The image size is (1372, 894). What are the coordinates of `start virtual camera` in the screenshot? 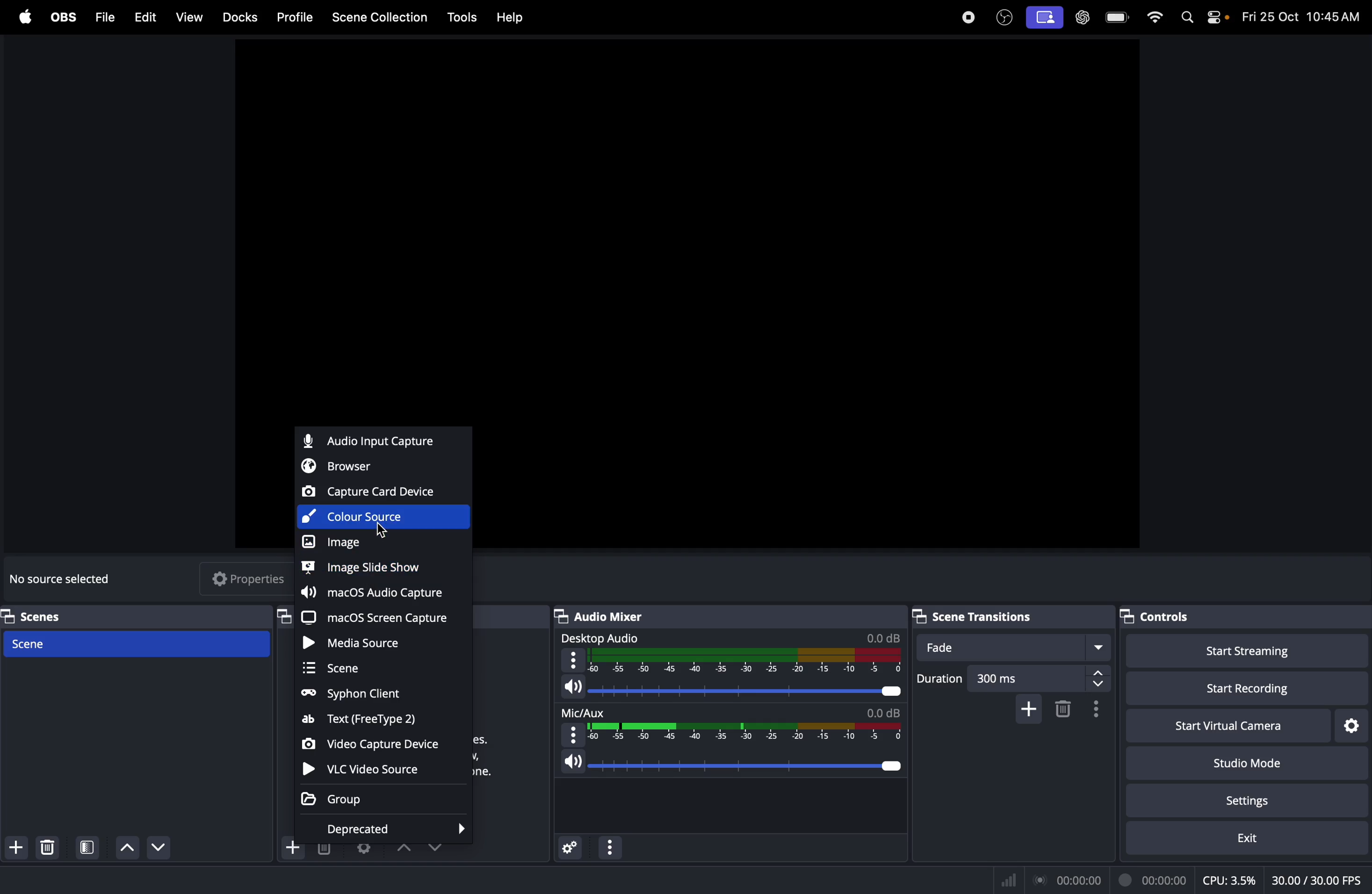 It's located at (1153, 726).